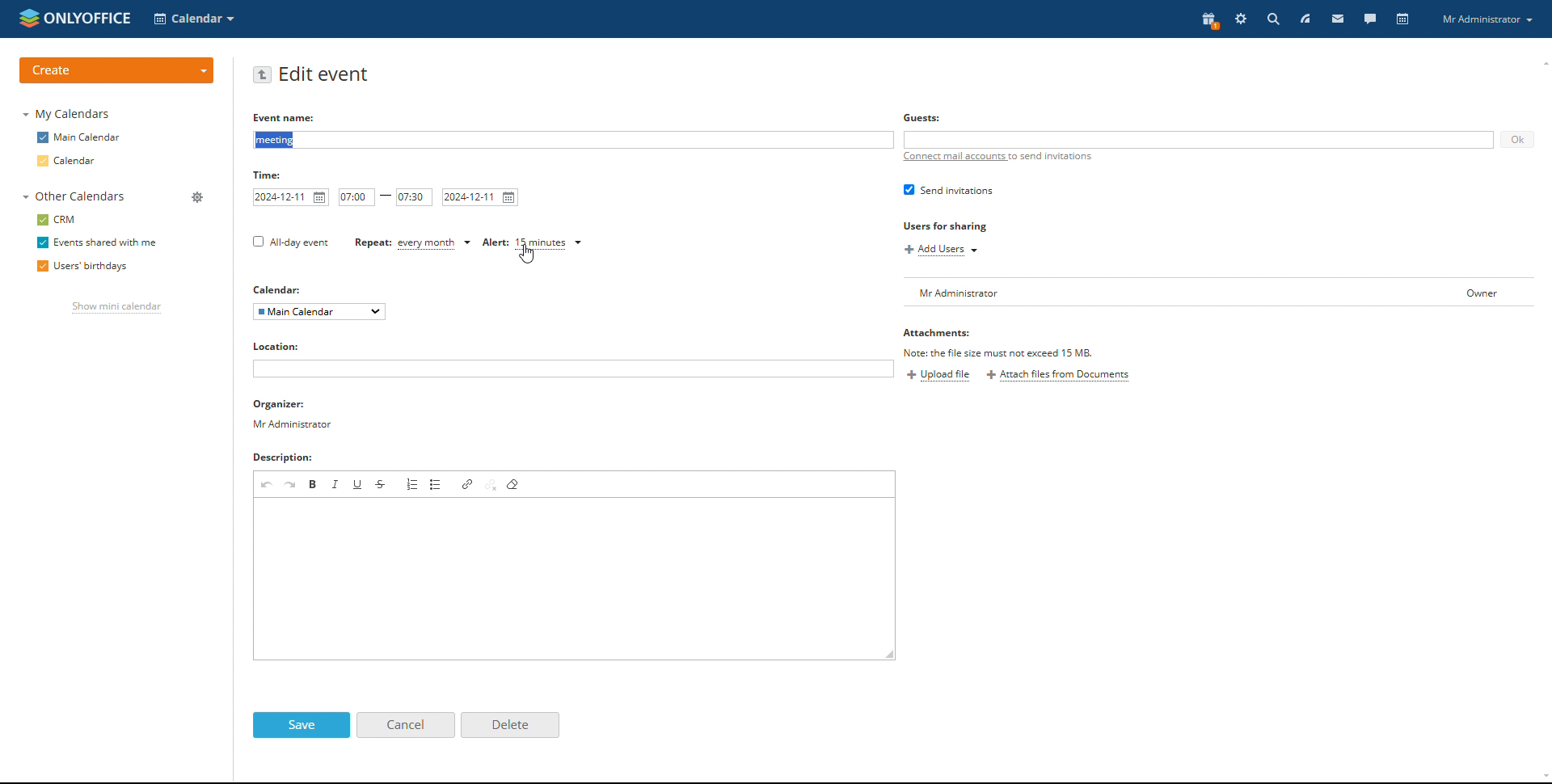 Image resolution: width=1552 pixels, height=784 pixels. I want to click on ok, so click(1517, 141).